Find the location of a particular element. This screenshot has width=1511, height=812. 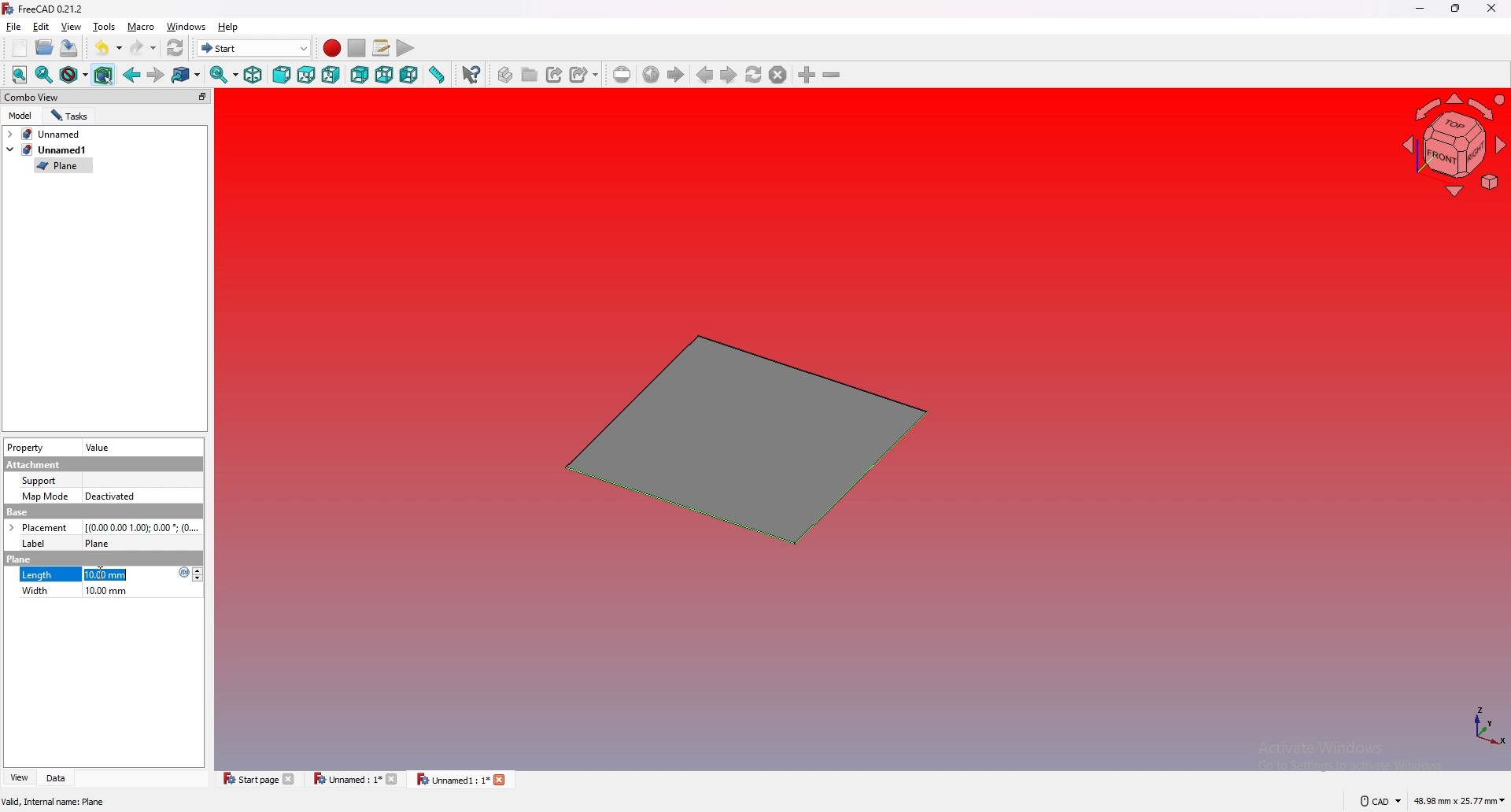

isometric is located at coordinates (253, 75).